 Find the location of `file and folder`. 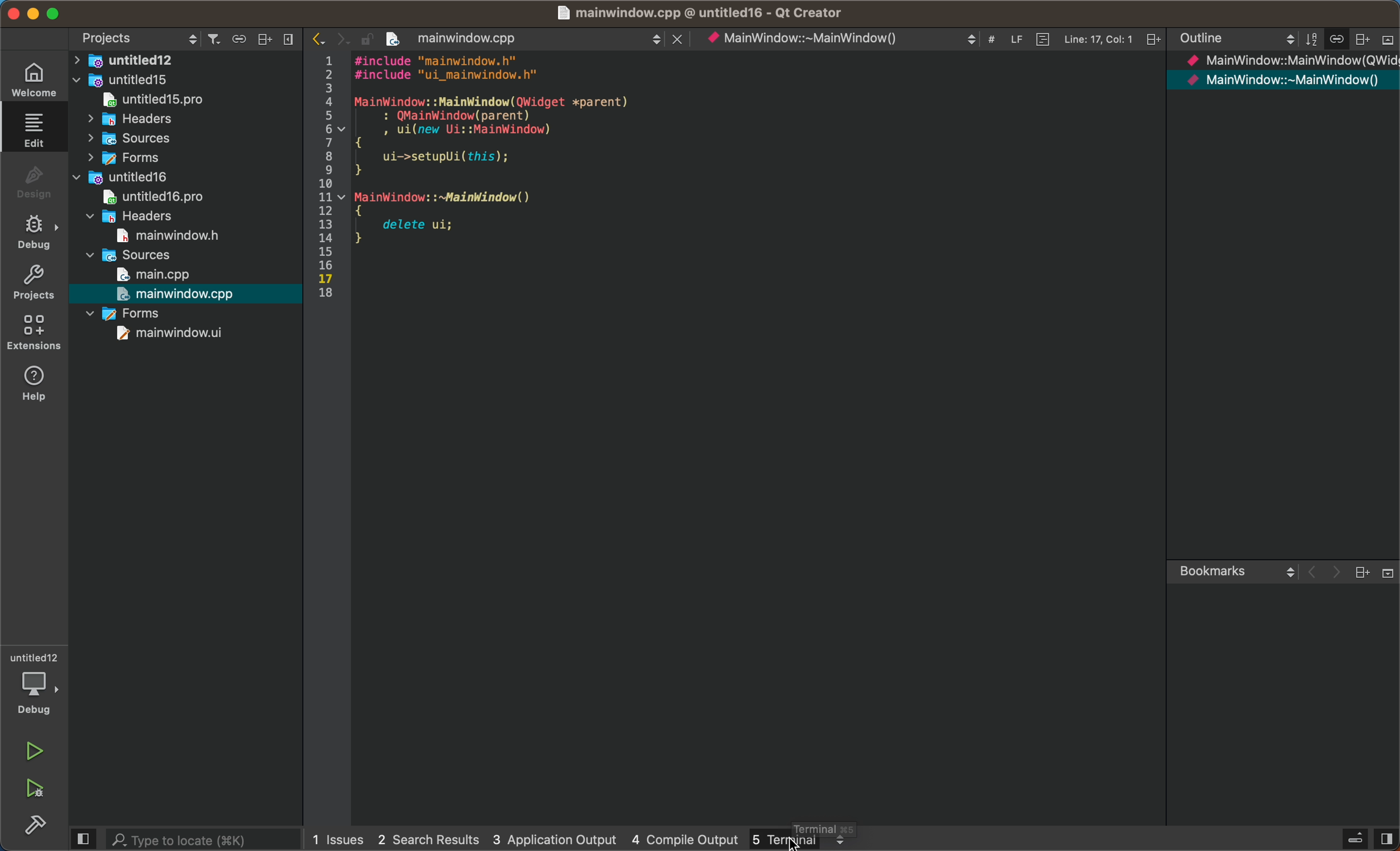

file and folder is located at coordinates (190, 121).